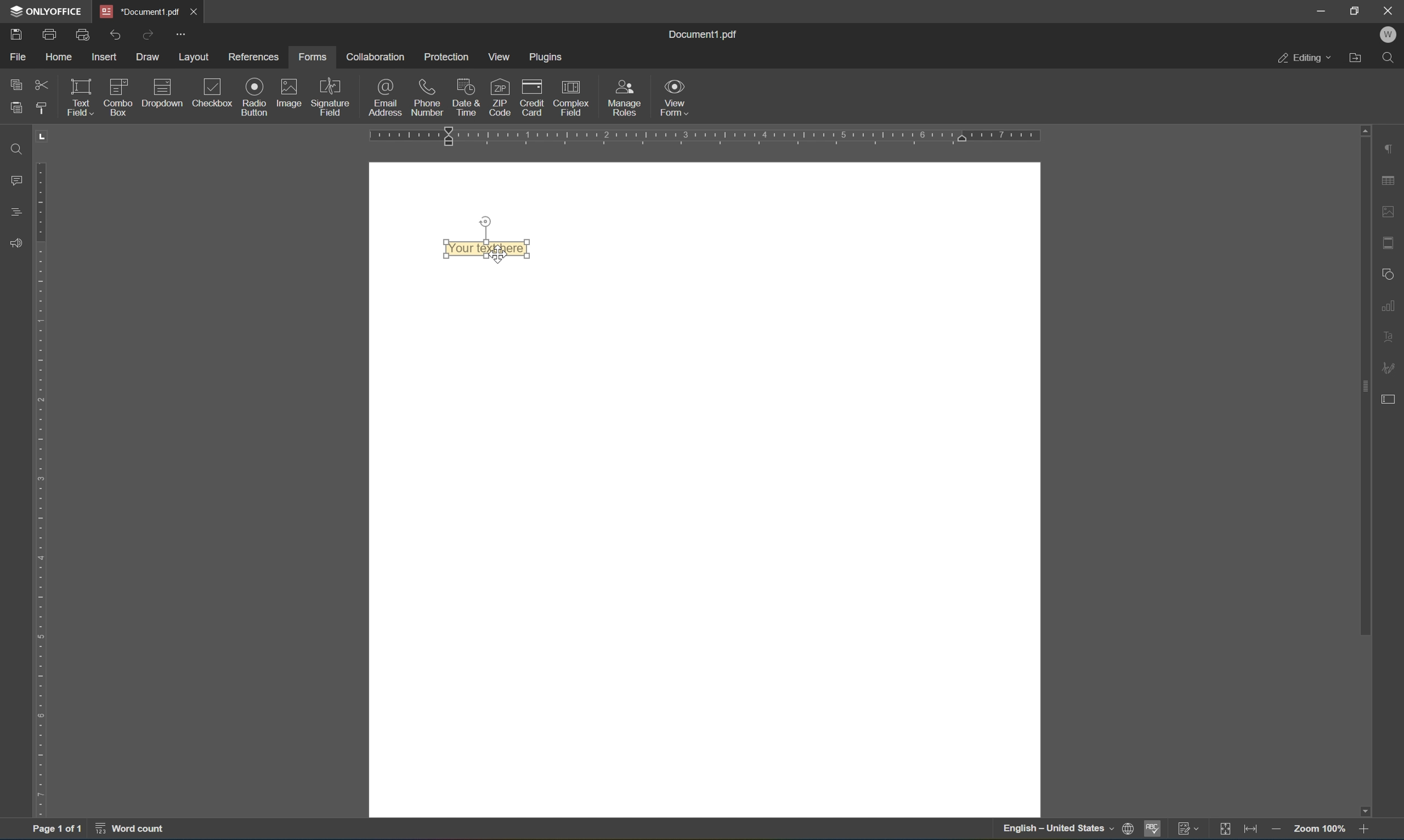 The height and width of the screenshot is (840, 1404). What do you see at coordinates (1321, 12) in the screenshot?
I see `minimize` at bounding box center [1321, 12].